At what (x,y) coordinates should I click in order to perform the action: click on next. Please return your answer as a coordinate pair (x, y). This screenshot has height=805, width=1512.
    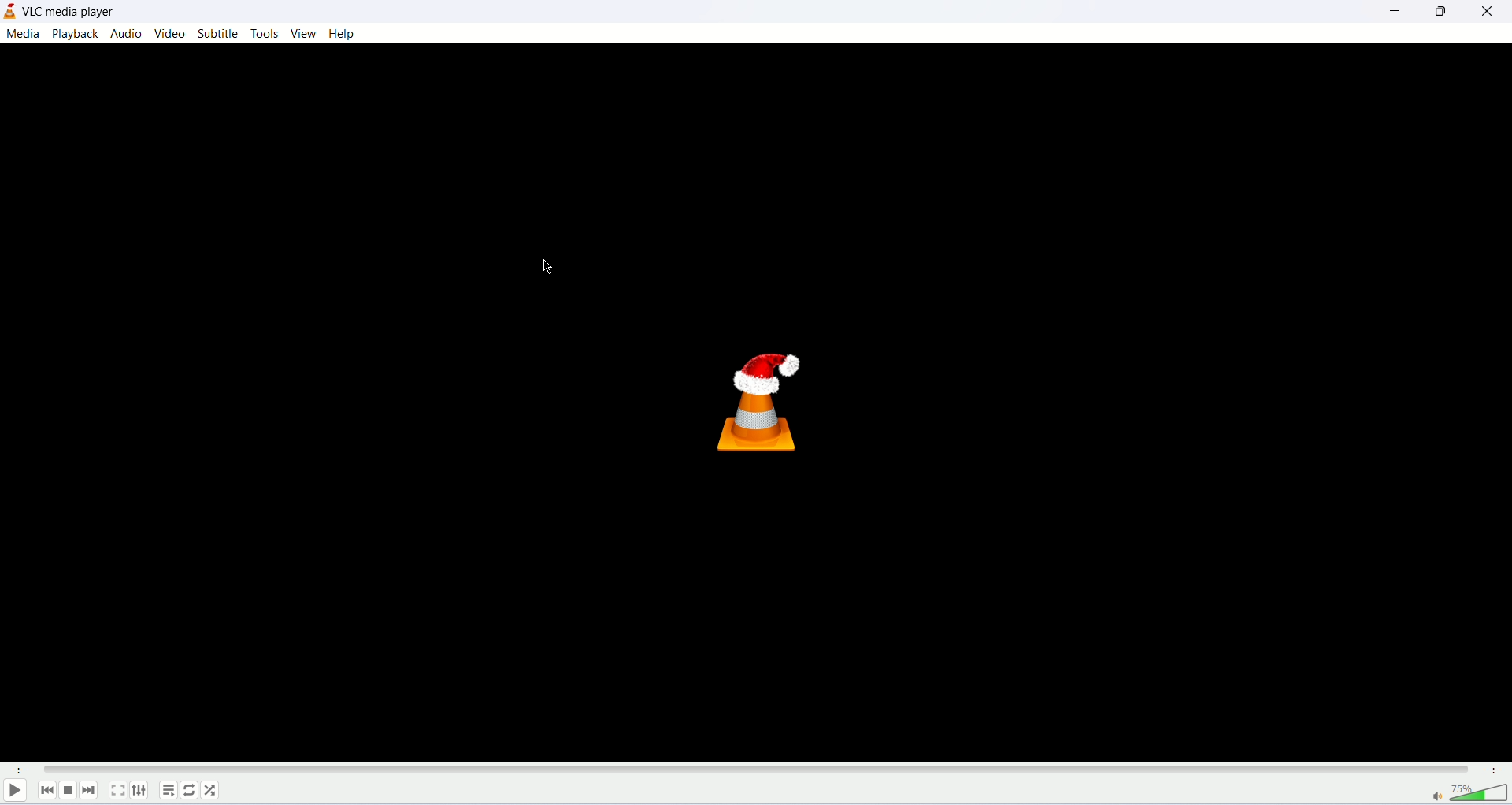
    Looking at the image, I should click on (91, 792).